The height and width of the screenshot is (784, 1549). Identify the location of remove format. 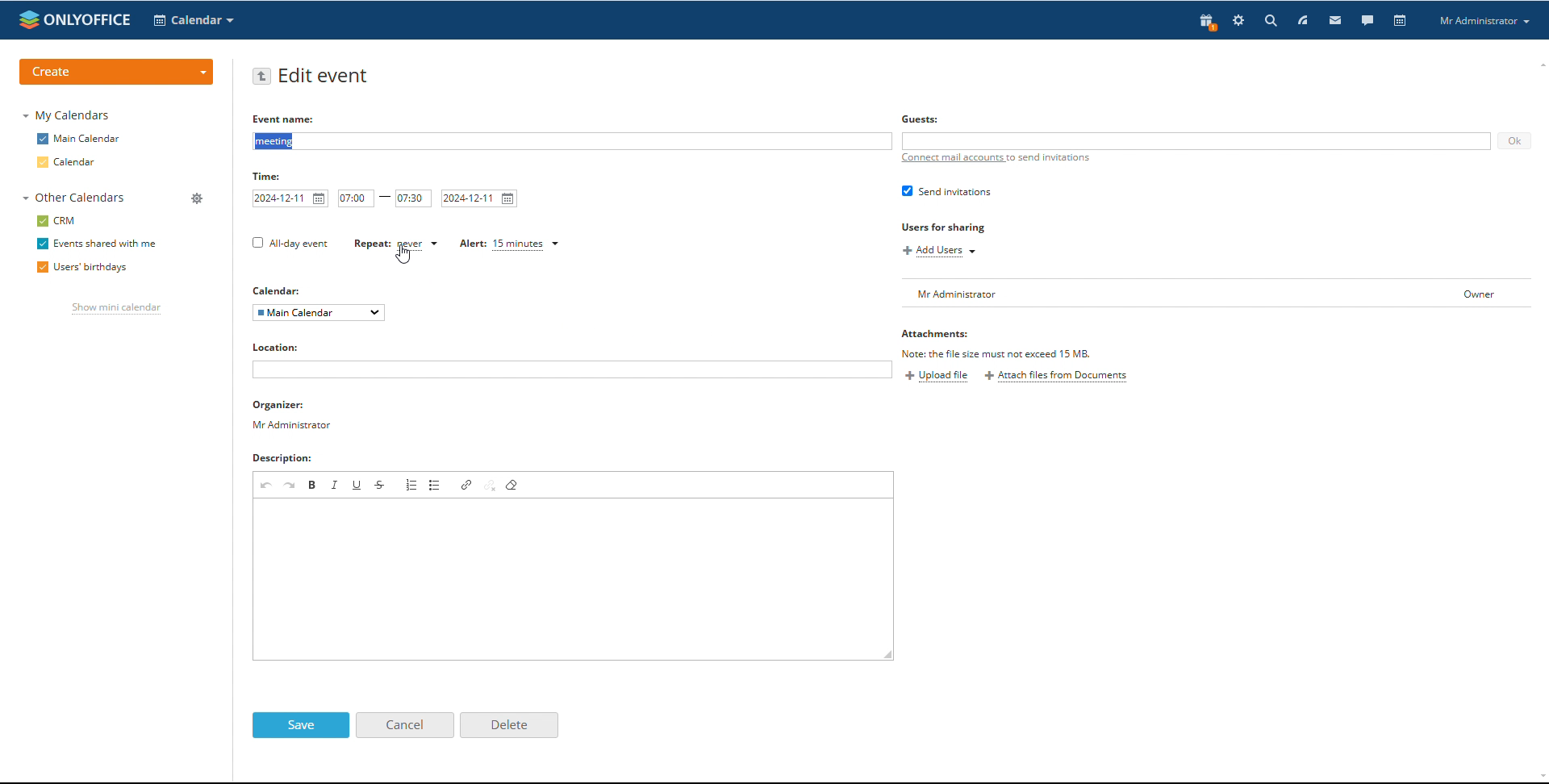
(512, 484).